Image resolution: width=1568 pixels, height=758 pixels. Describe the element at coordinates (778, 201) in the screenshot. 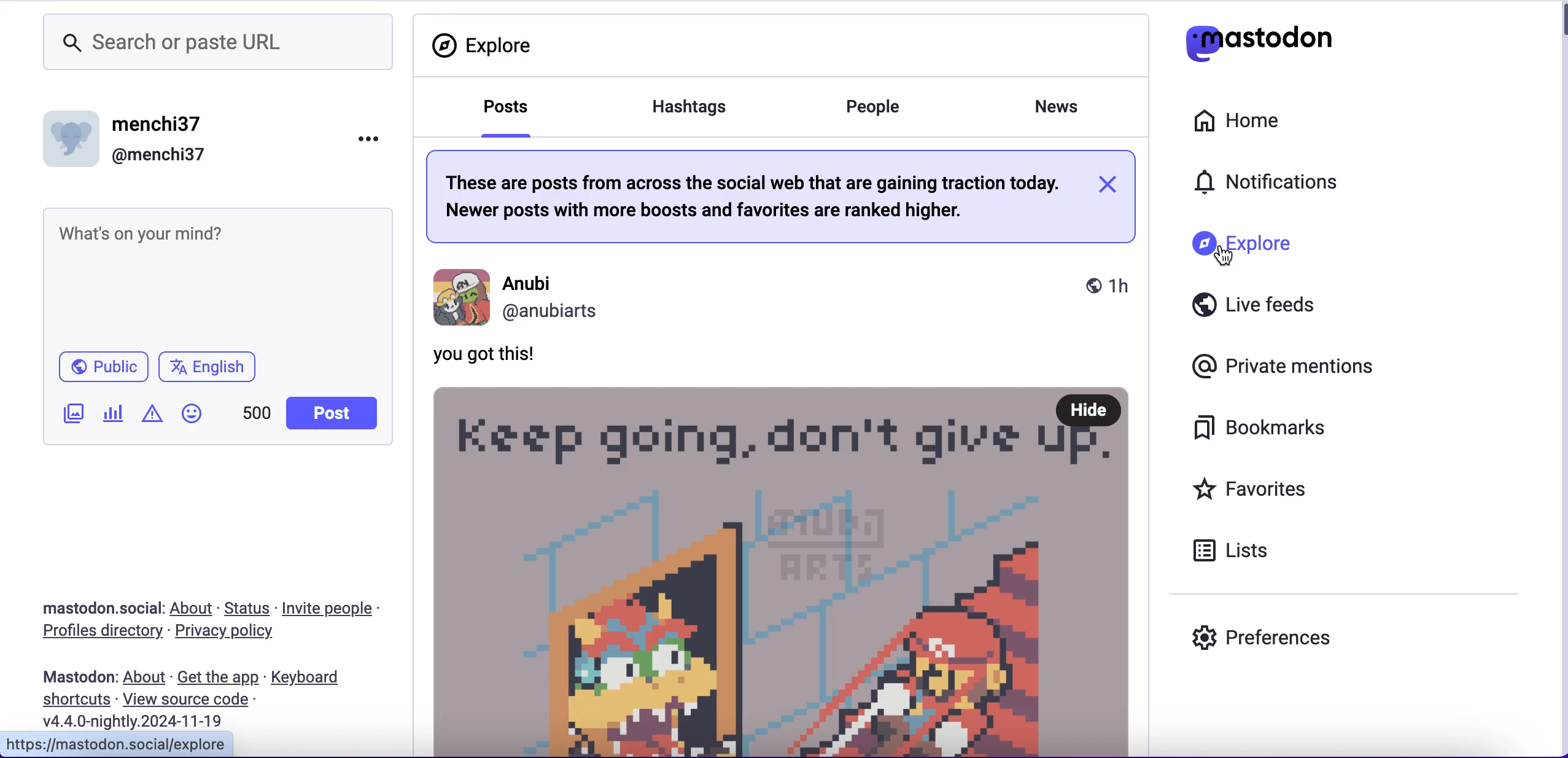

I see `these are post from across social web gaining traction` at that location.